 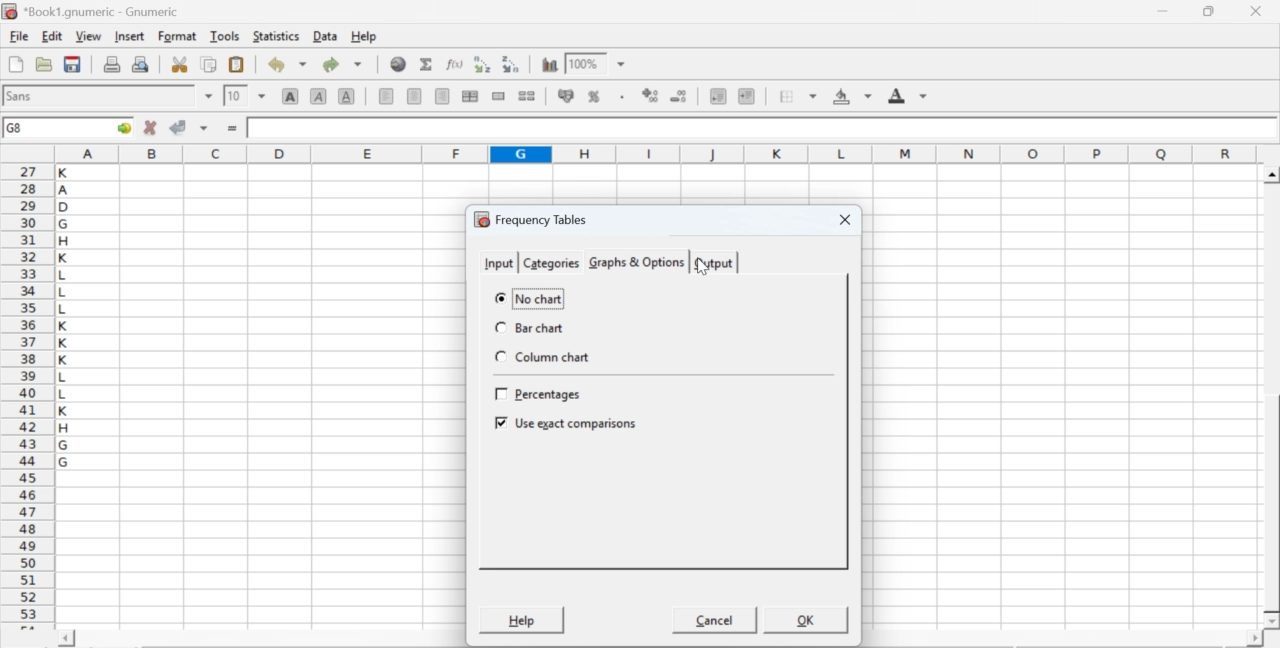 What do you see at coordinates (512, 62) in the screenshot?
I see `Sort the selected region in descending order based on the first column selected` at bounding box center [512, 62].